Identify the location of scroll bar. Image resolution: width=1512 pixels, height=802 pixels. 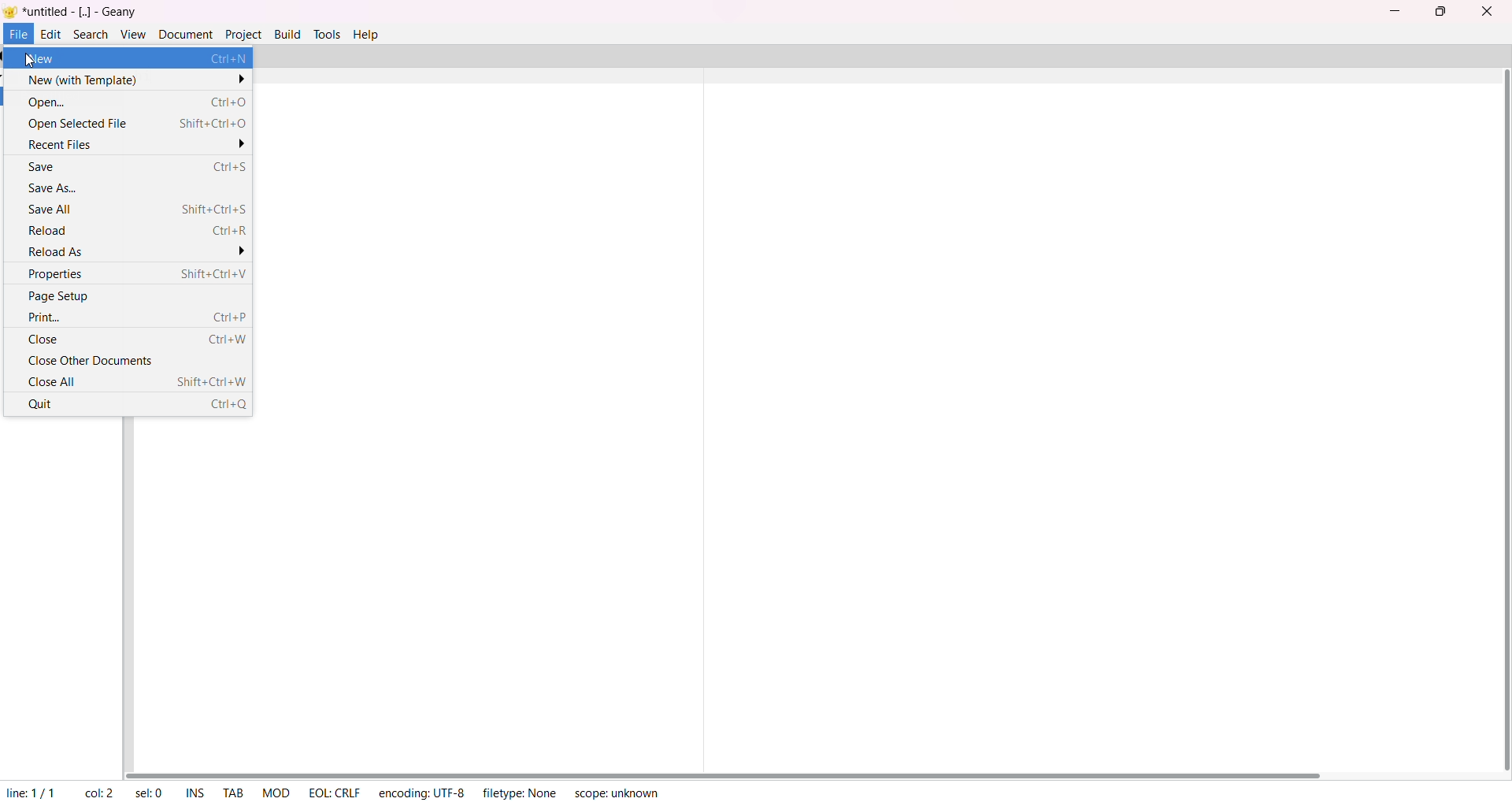
(1504, 421).